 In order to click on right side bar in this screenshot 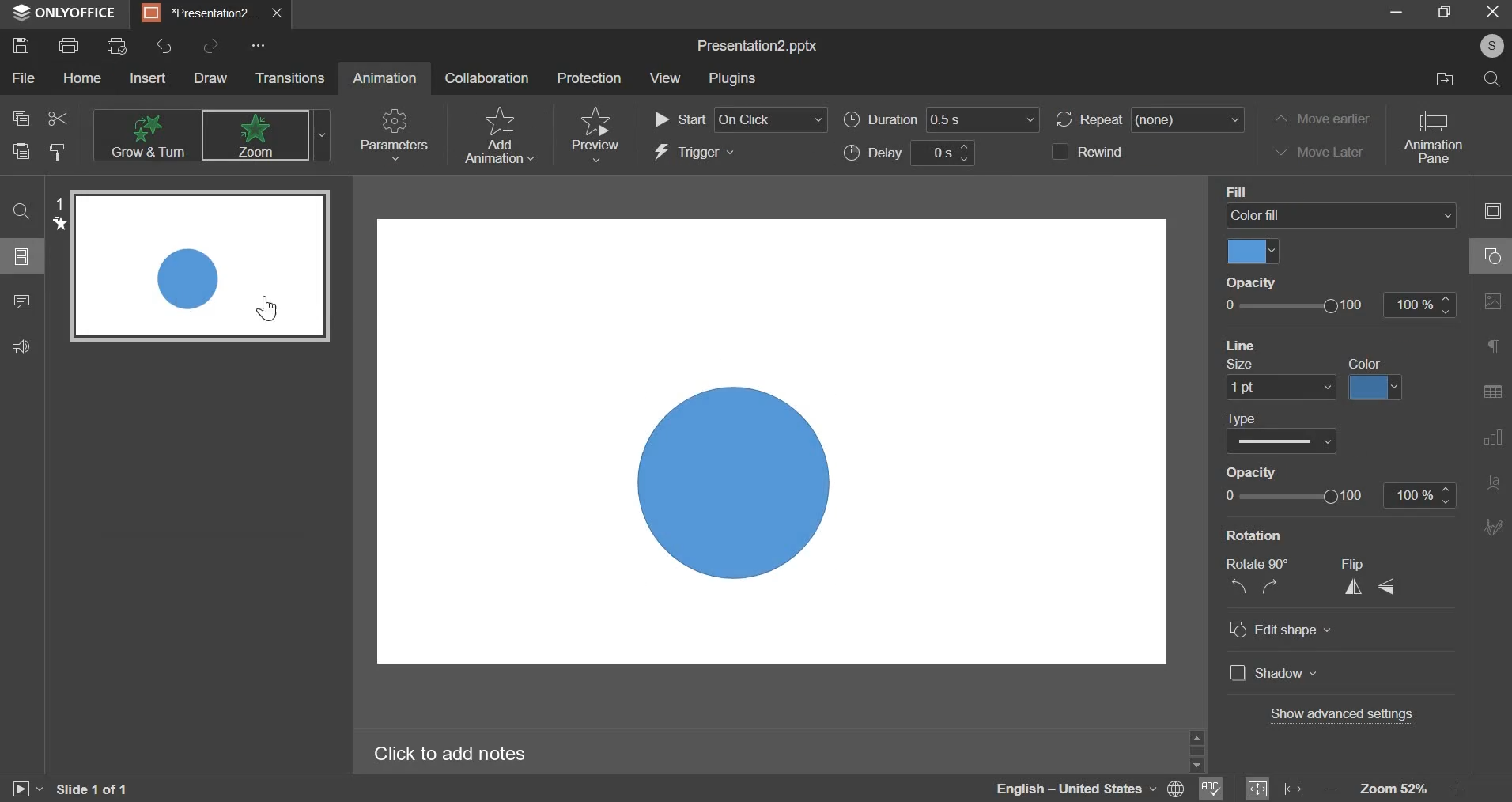, I will do `click(1489, 369)`.